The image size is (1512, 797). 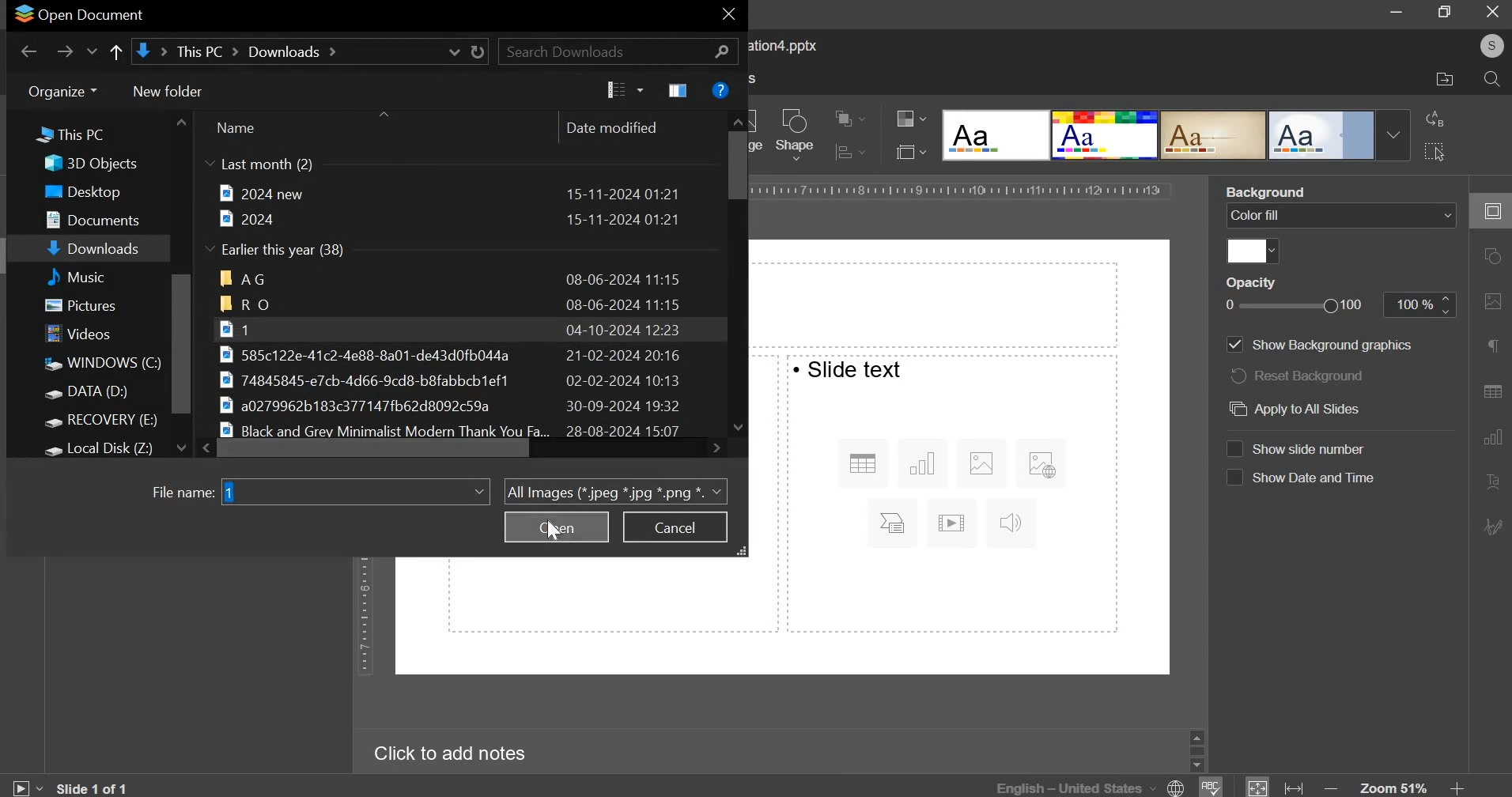 I want to click on recent locations, so click(x=93, y=54).